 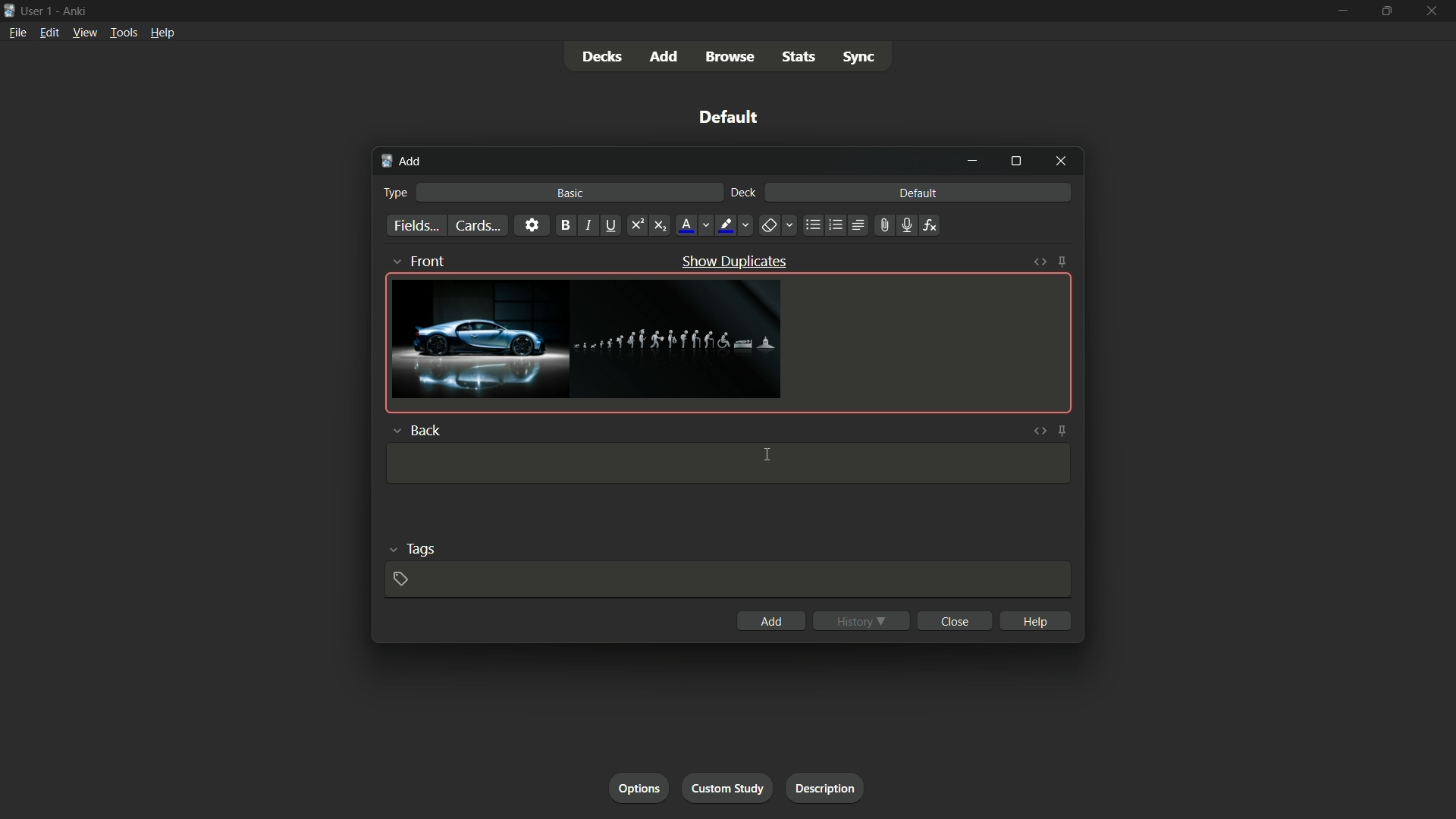 I want to click on close, so click(x=955, y=620).